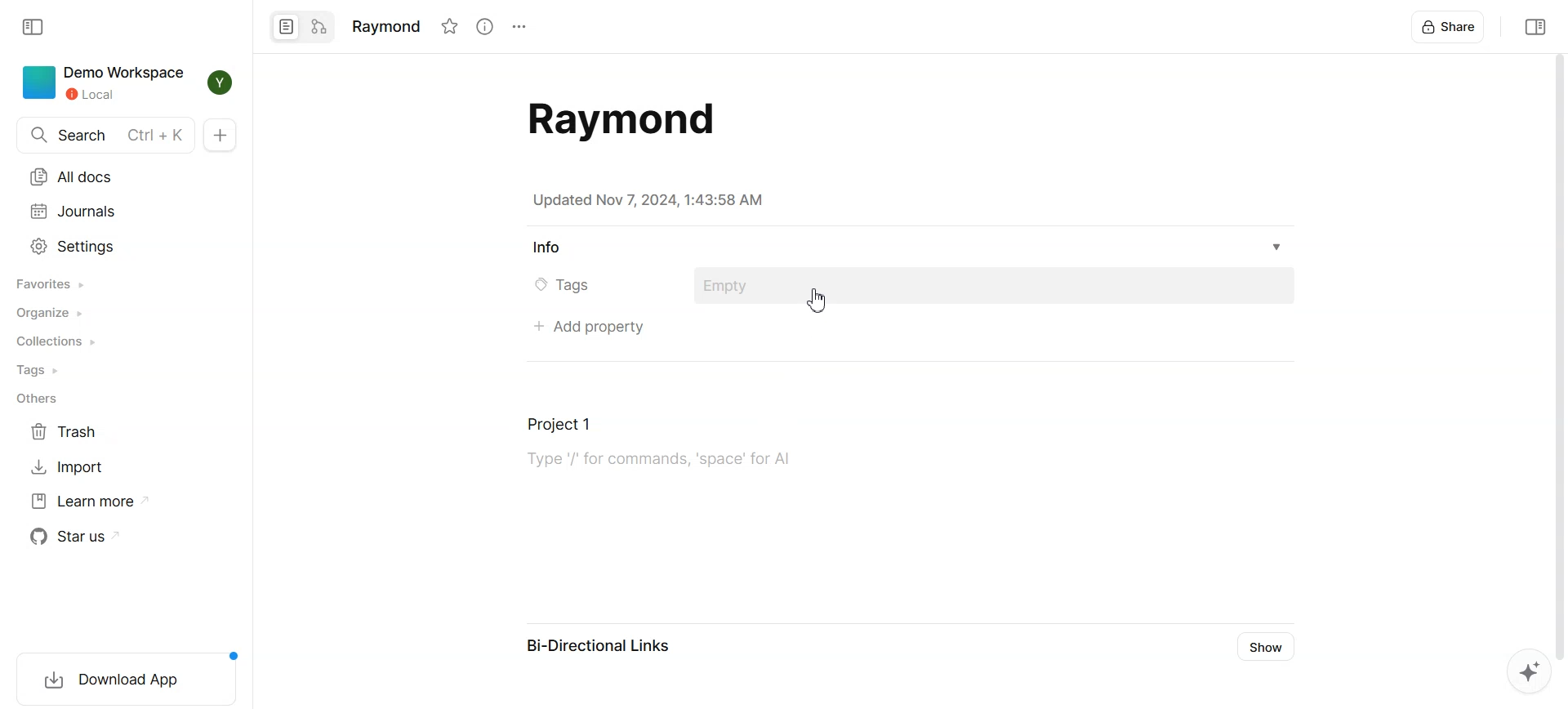  Describe the element at coordinates (817, 302) in the screenshot. I see `Cursor` at that location.